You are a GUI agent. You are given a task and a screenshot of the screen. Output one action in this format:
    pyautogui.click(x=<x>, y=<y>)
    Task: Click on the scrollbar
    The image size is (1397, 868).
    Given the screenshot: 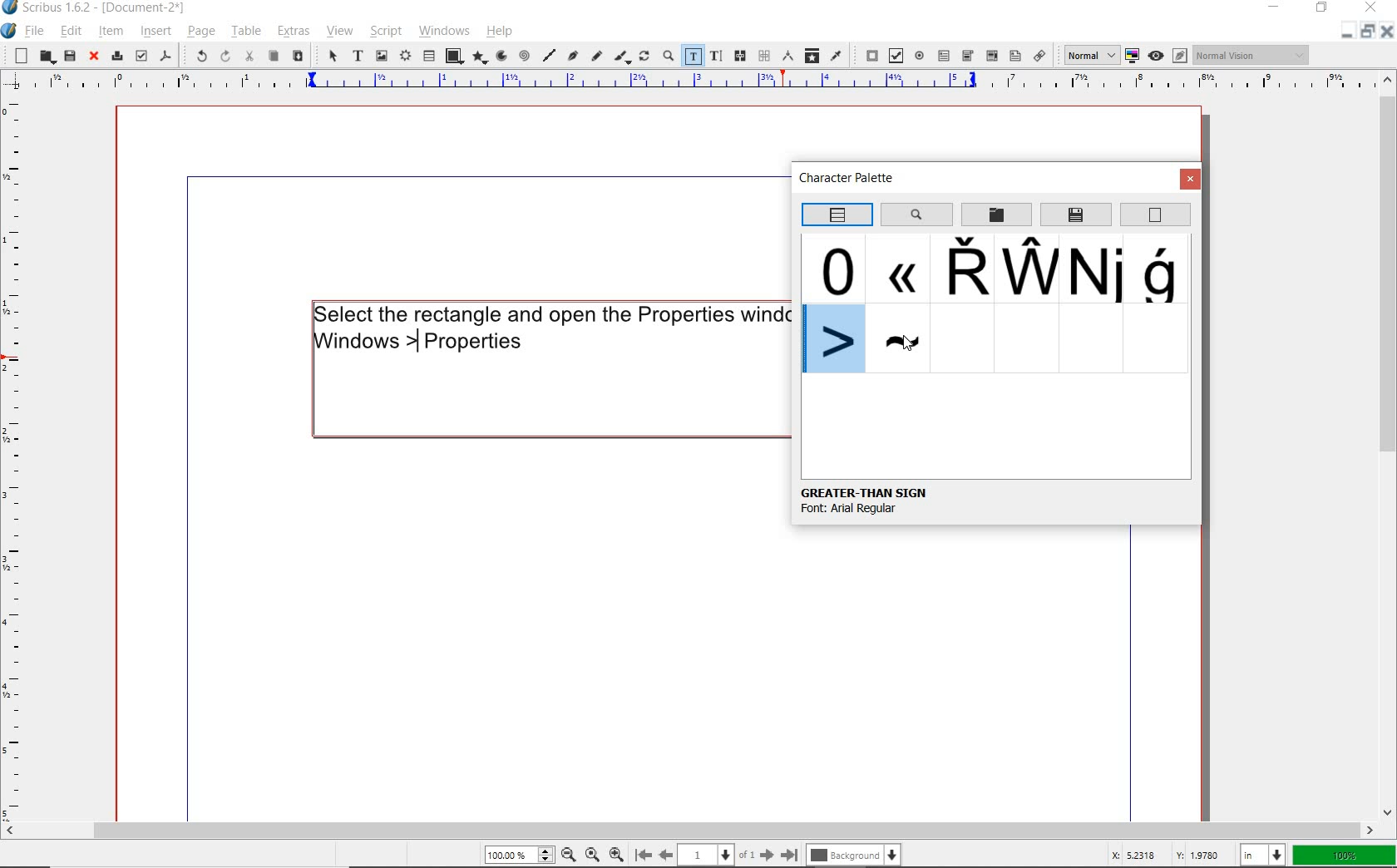 What is the action you would take?
    pyautogui.click(x=1389, y=446)
    